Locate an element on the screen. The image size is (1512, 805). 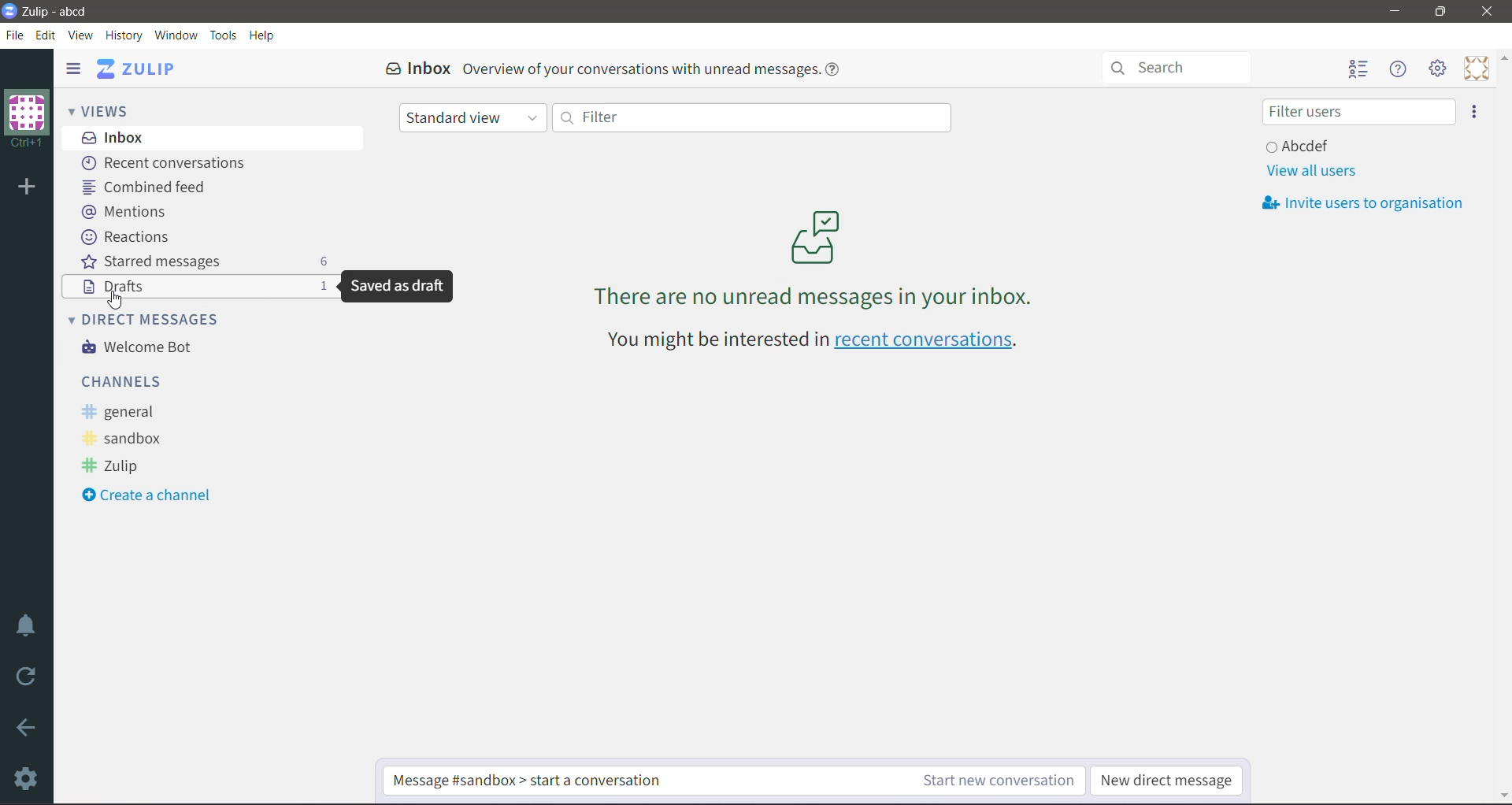
User and Status is located at coordinates (1301, 145).